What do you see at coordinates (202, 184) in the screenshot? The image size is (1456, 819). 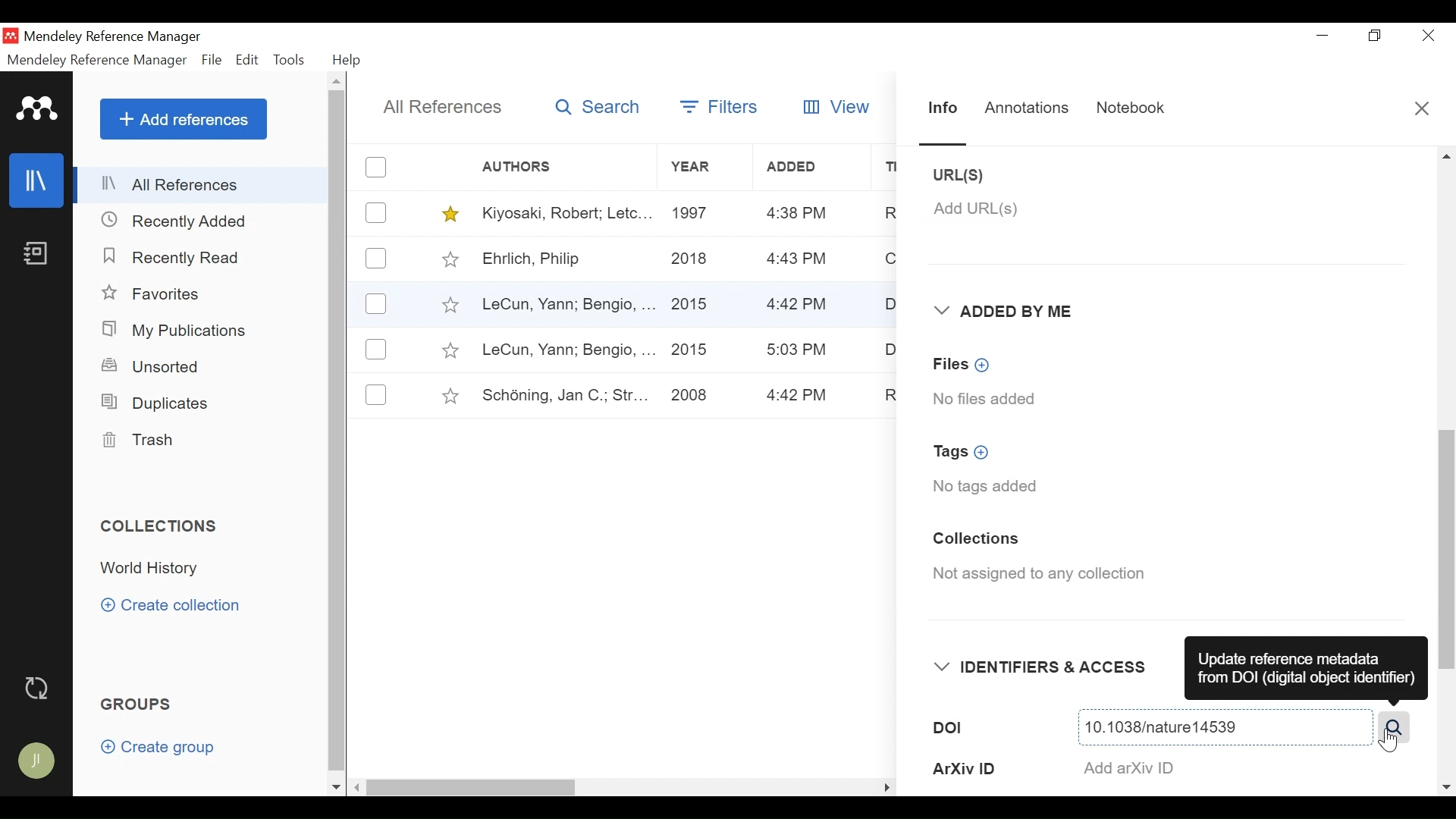 I see `All References` at bounding box center [202, 184].